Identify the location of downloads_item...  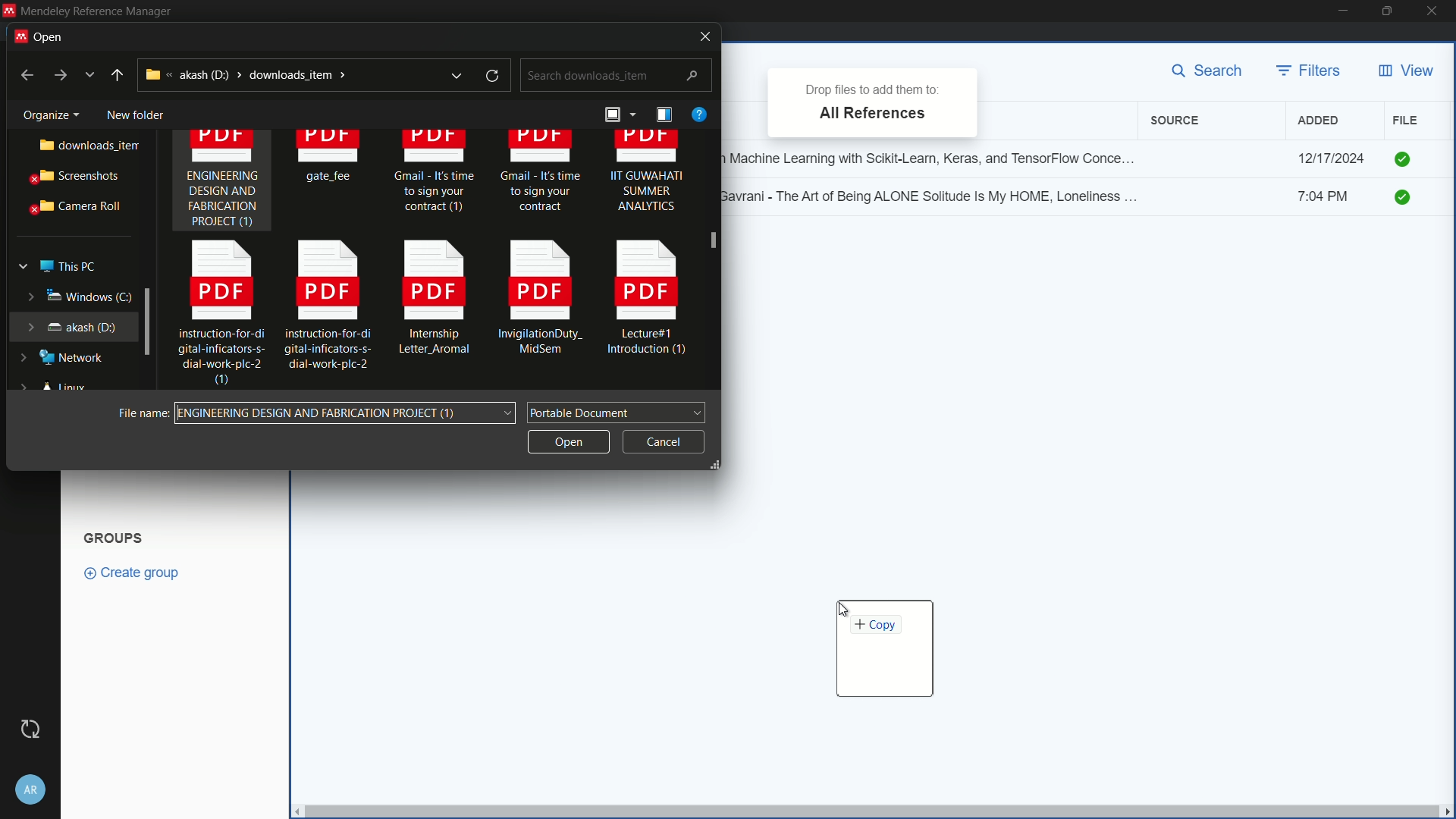
(77, 146).